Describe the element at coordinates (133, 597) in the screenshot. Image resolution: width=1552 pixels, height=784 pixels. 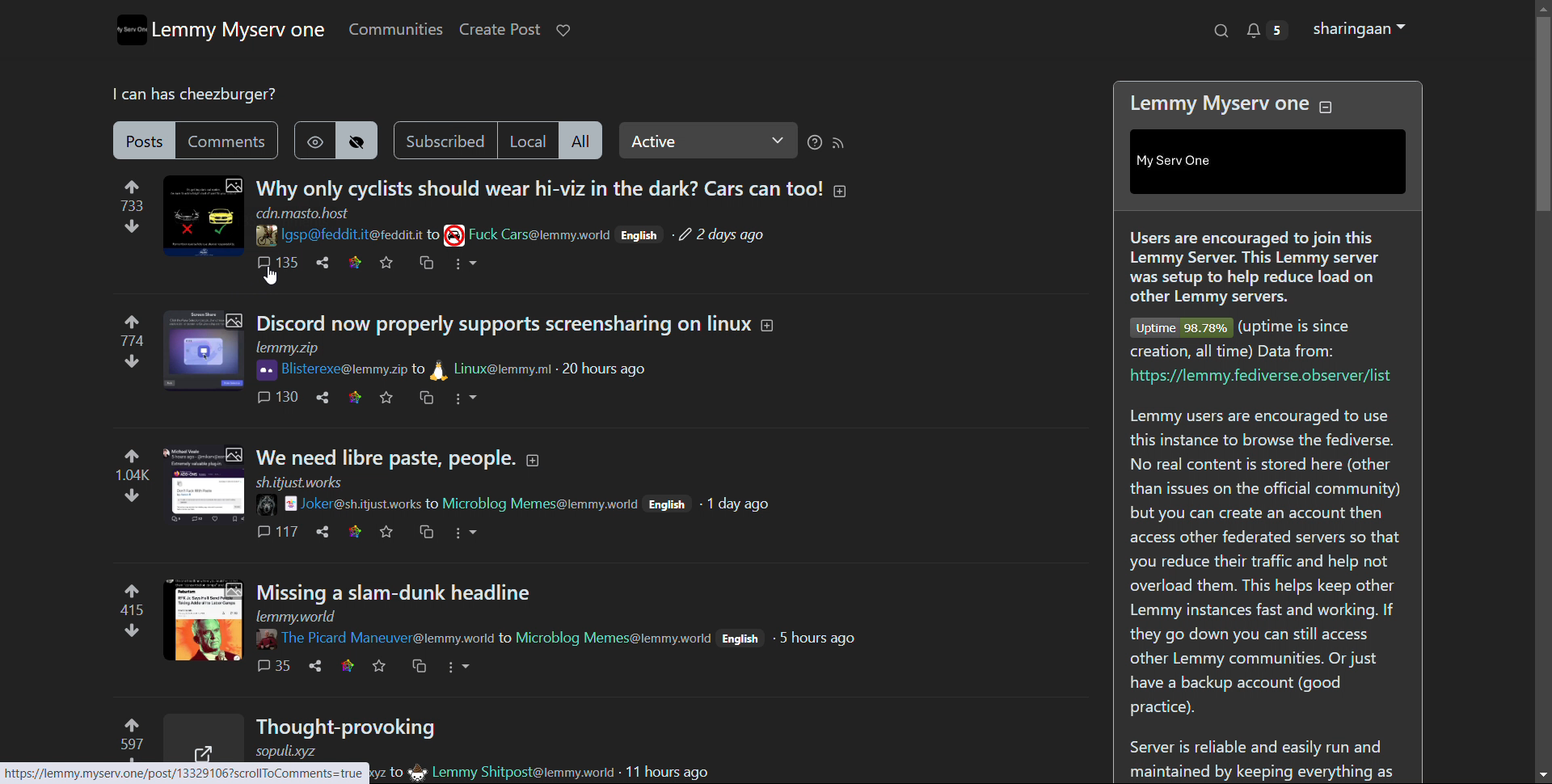
I see `upvote 415` at that location.